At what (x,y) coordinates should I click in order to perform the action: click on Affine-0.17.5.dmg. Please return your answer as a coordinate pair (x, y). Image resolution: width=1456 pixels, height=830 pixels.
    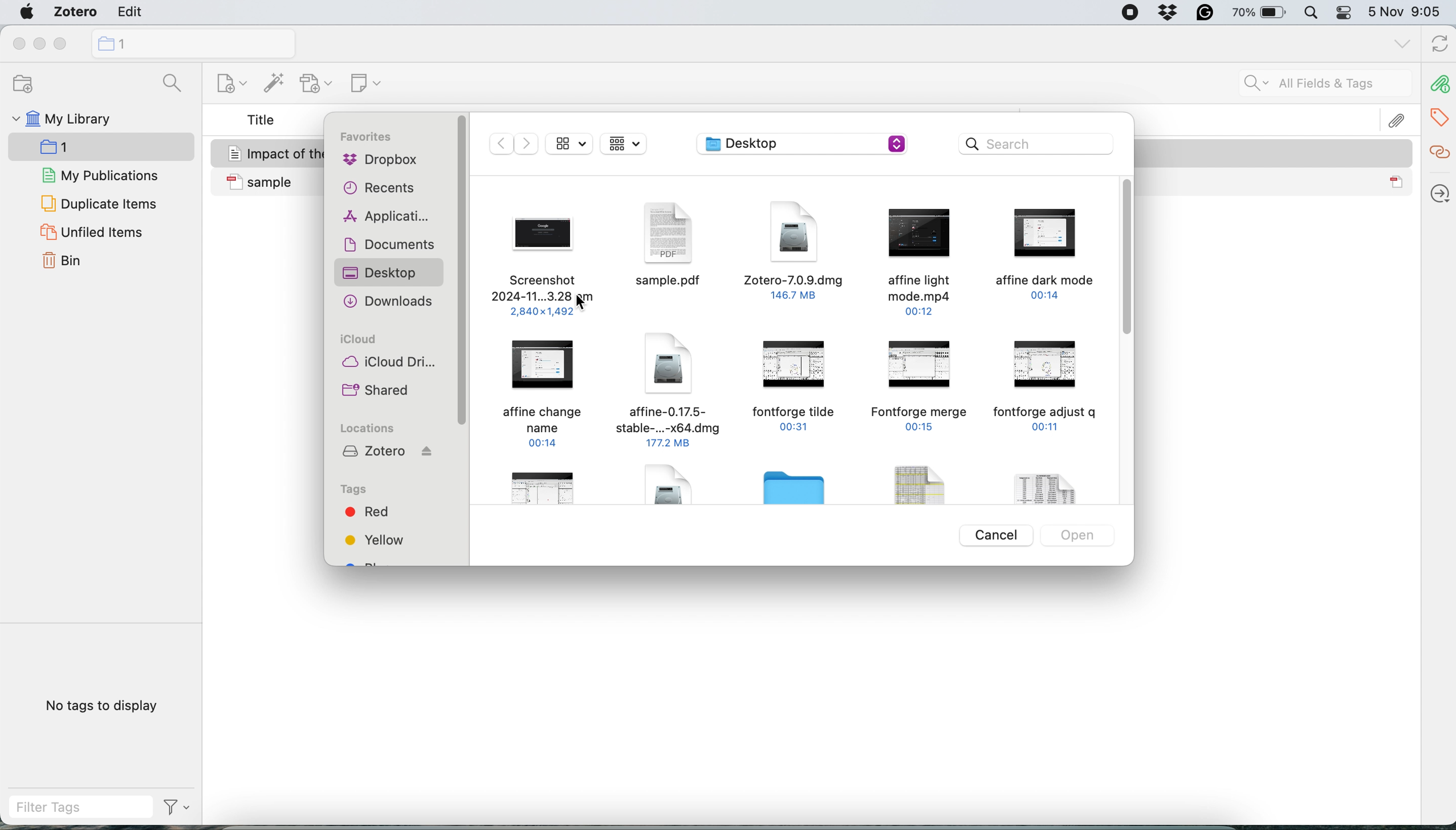
    Looking at the image, I should click on (668, 392).